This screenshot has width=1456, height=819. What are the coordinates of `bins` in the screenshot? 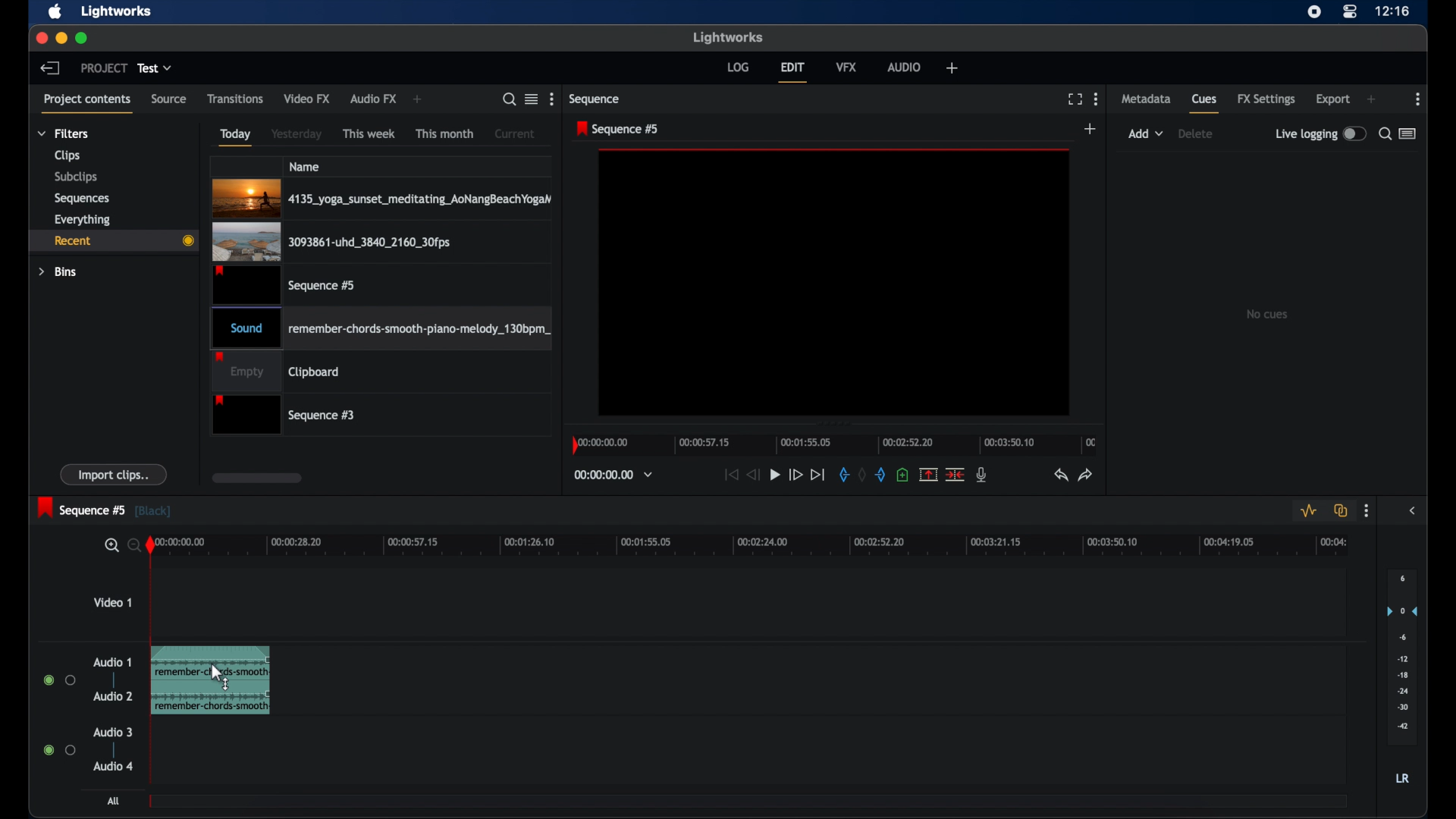 It's located at (58, 271).